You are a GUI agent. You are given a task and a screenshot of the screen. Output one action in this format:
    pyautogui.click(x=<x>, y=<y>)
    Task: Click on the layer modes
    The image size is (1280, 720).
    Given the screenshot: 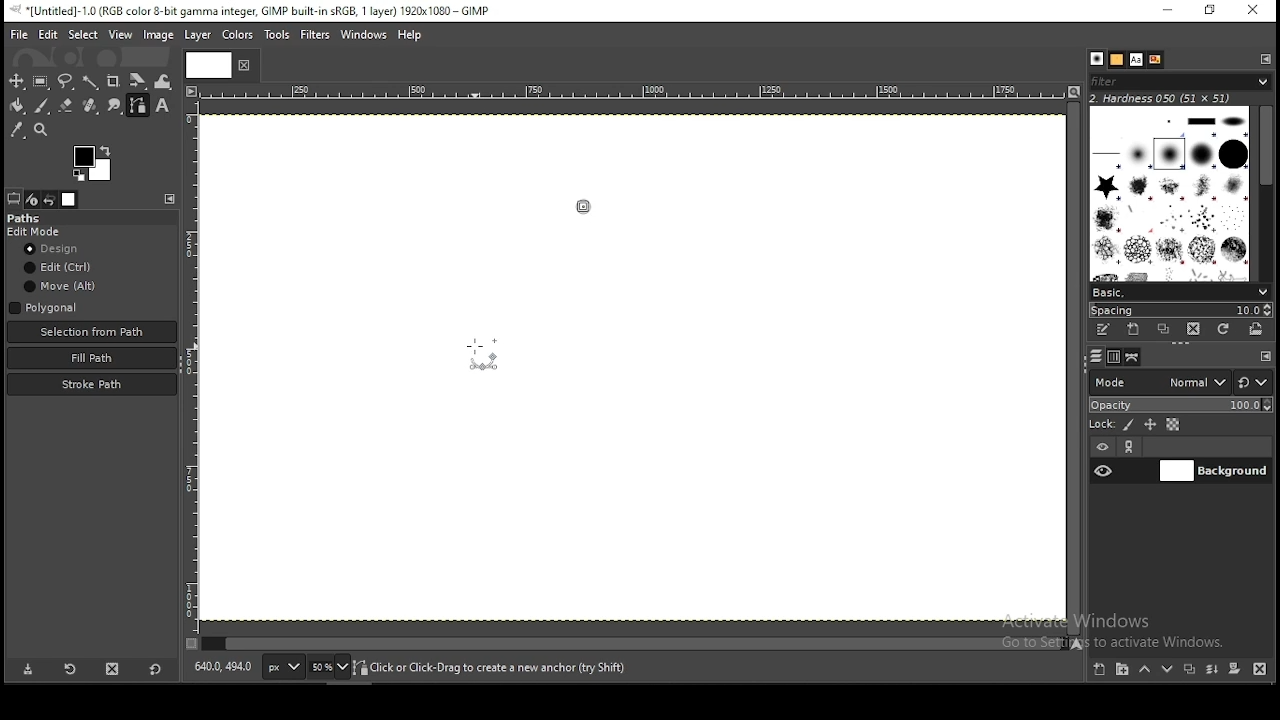 What is the action you would take?
    pyautogui.click(x=1159, y=382)
    